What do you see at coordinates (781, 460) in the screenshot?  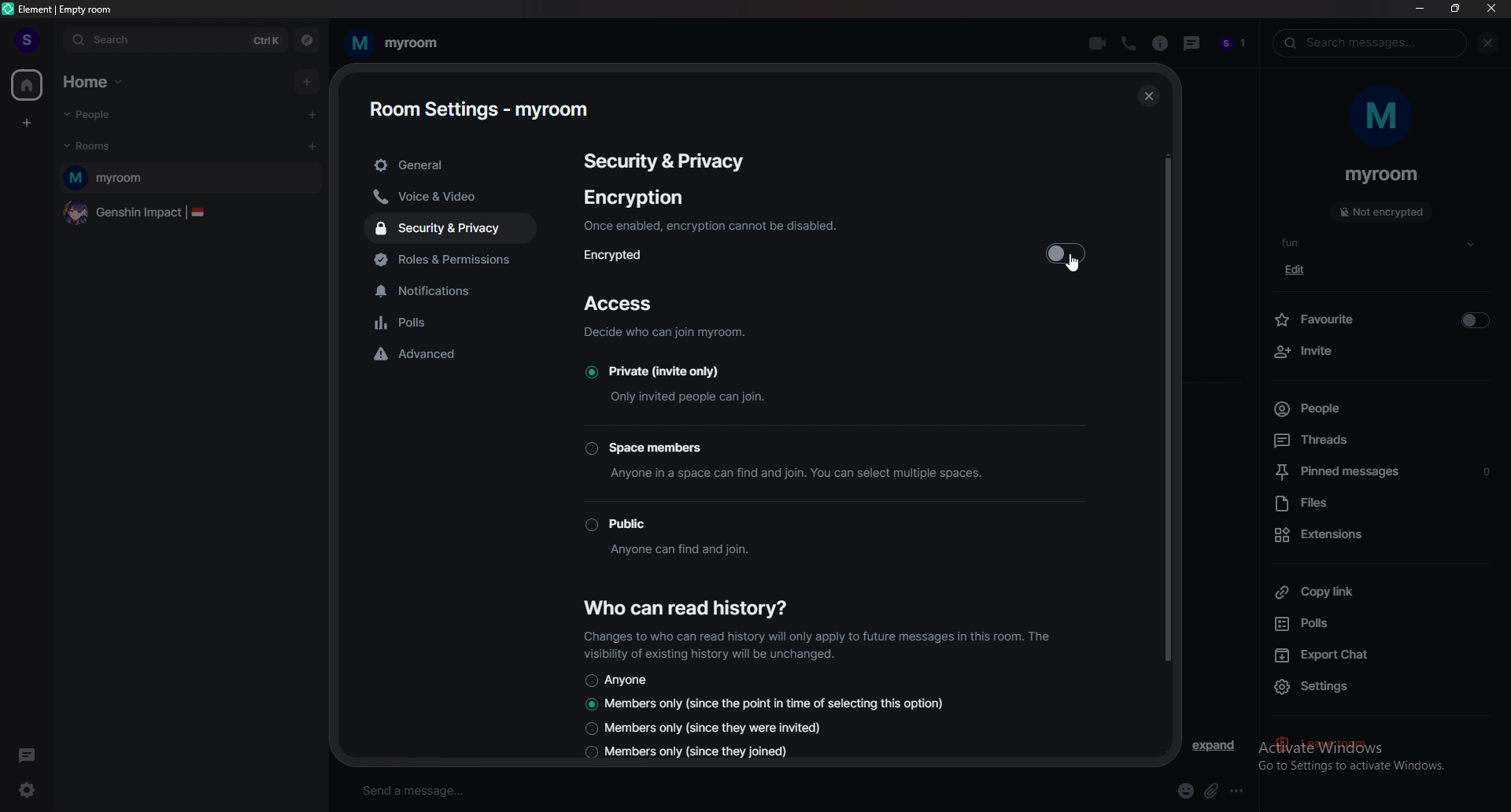 I see `Space members Anyone in a space can find and join. You can select multiple spaces.` at bounding box center [781, 460].